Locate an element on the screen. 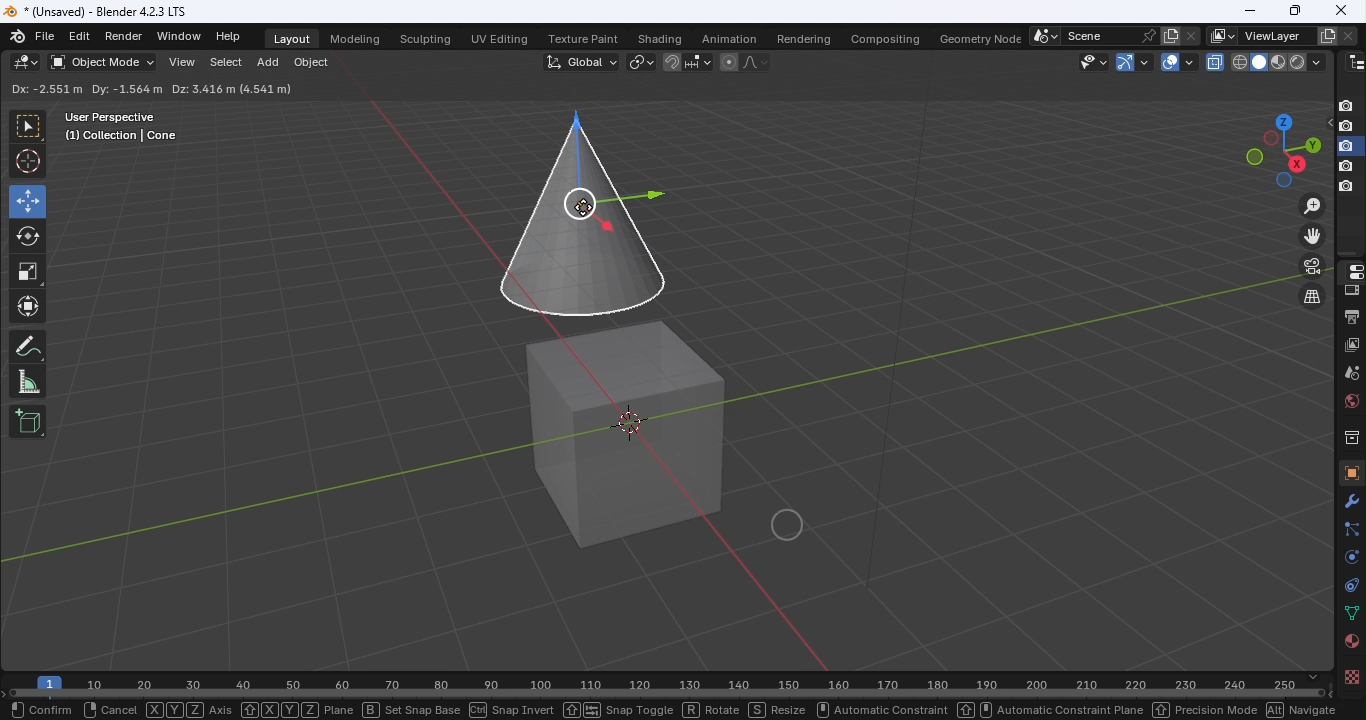 The image size is (1366, 720). Add view layer is located at coordinates (1328, 34).